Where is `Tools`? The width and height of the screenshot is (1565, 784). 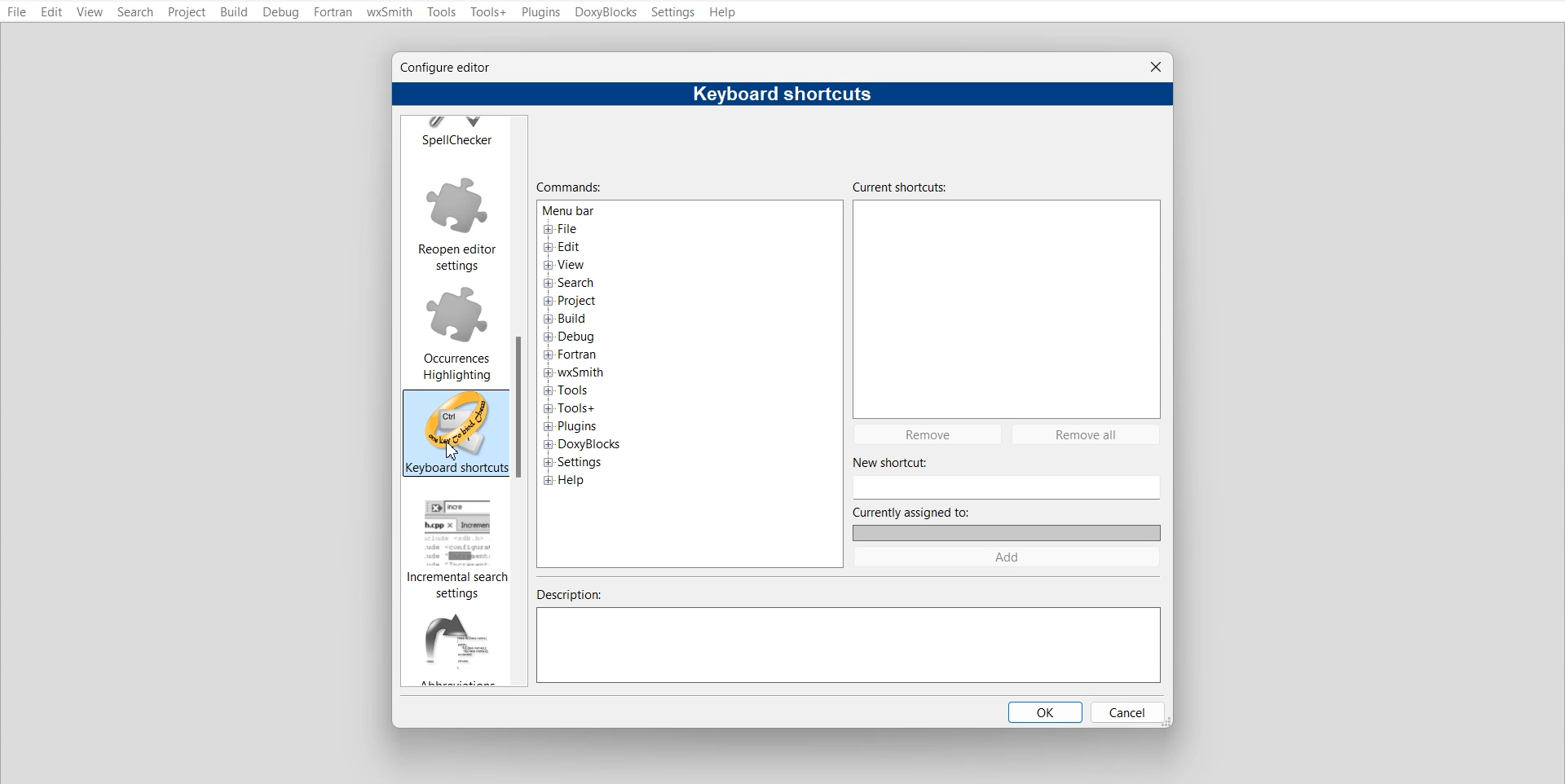
Tools is located at coordinates (442, 12).